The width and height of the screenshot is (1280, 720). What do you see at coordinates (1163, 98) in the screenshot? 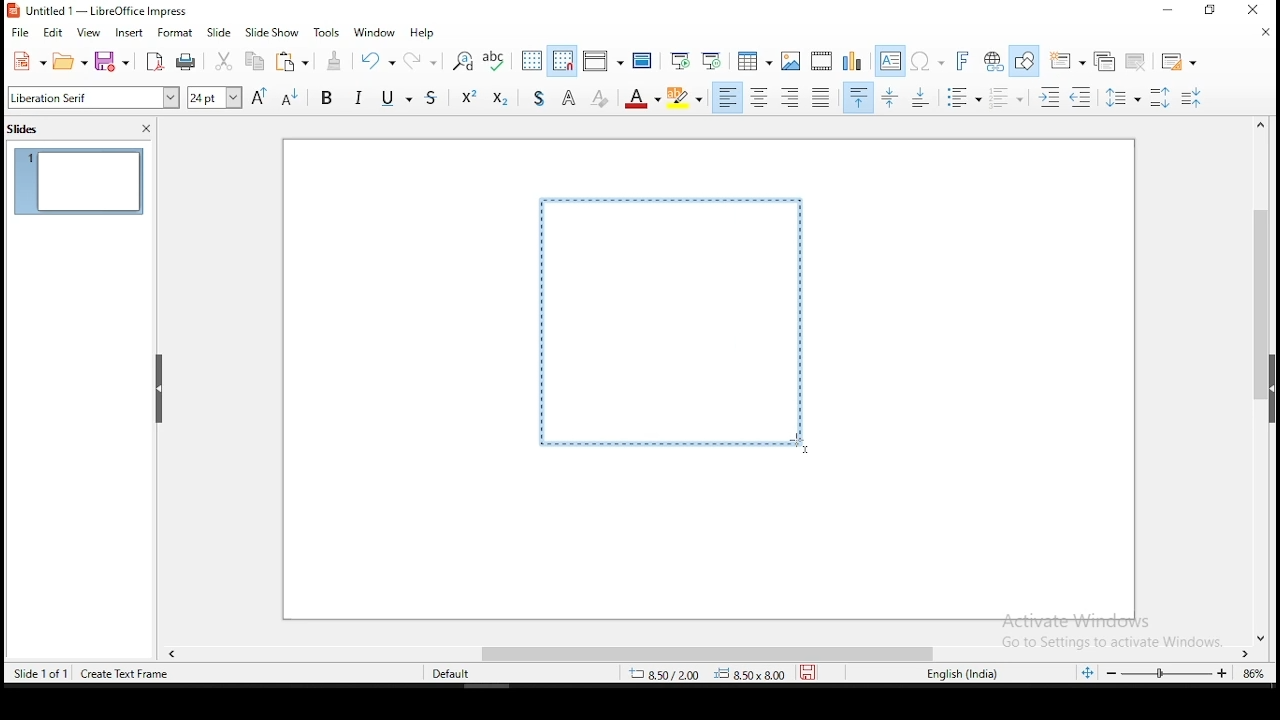
I see `increase paragraph spacing` at bounding box center [1163, 98].